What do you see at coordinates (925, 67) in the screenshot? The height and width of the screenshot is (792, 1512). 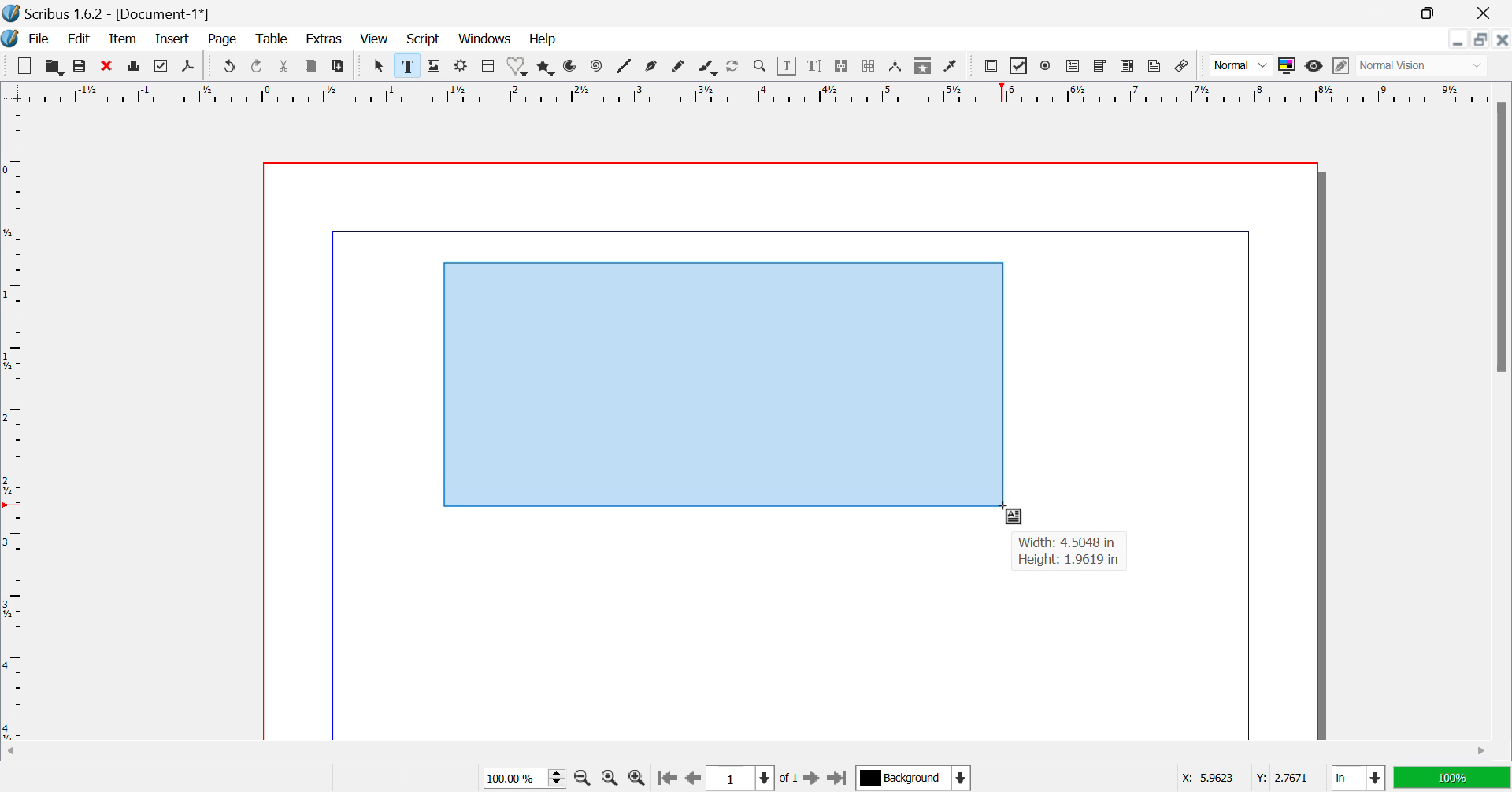 I see `Copy Item Properties` at bounding box center [925, 67].